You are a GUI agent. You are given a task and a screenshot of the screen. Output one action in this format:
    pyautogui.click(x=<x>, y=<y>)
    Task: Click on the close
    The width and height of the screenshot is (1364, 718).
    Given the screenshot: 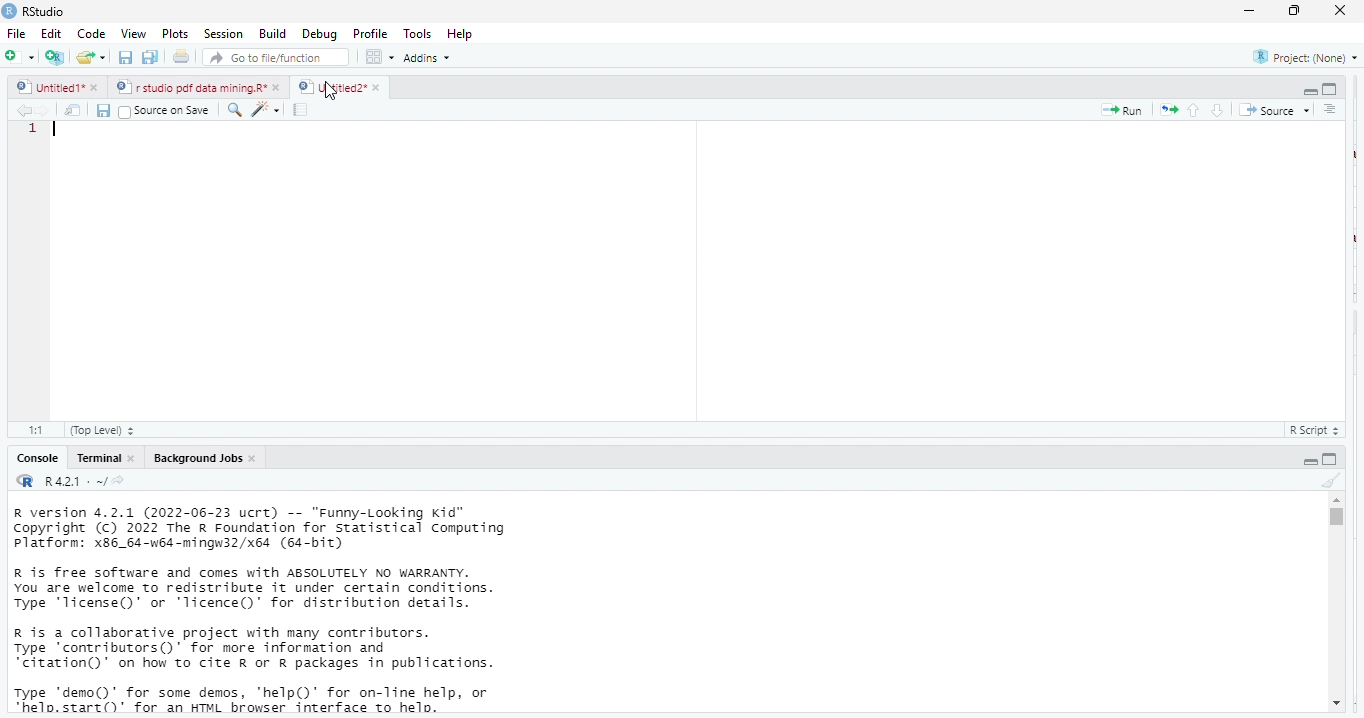 What is the action you would take?
    pyautogui.click(x=376, y=87)
    